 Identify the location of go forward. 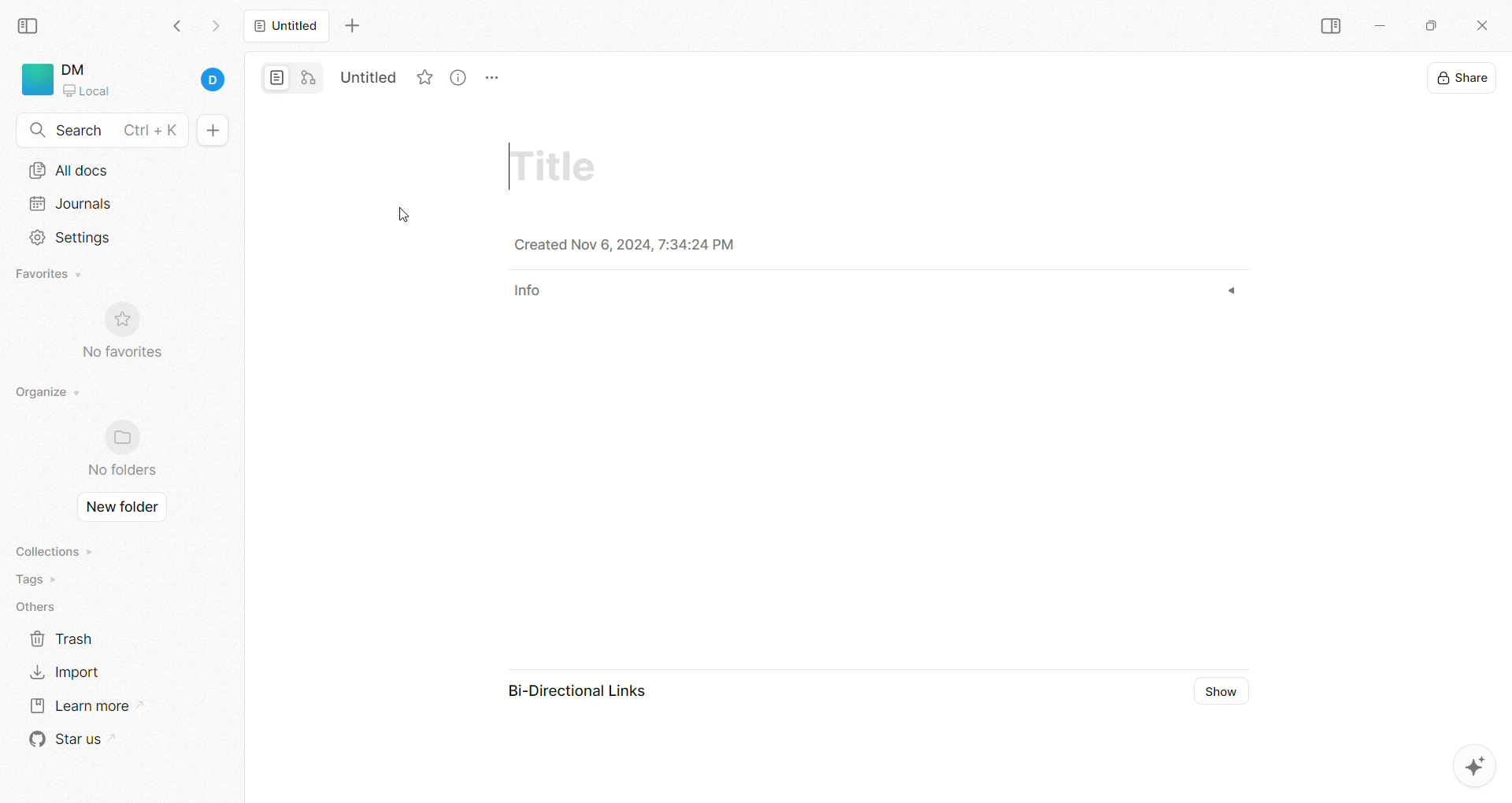
(215, 30).